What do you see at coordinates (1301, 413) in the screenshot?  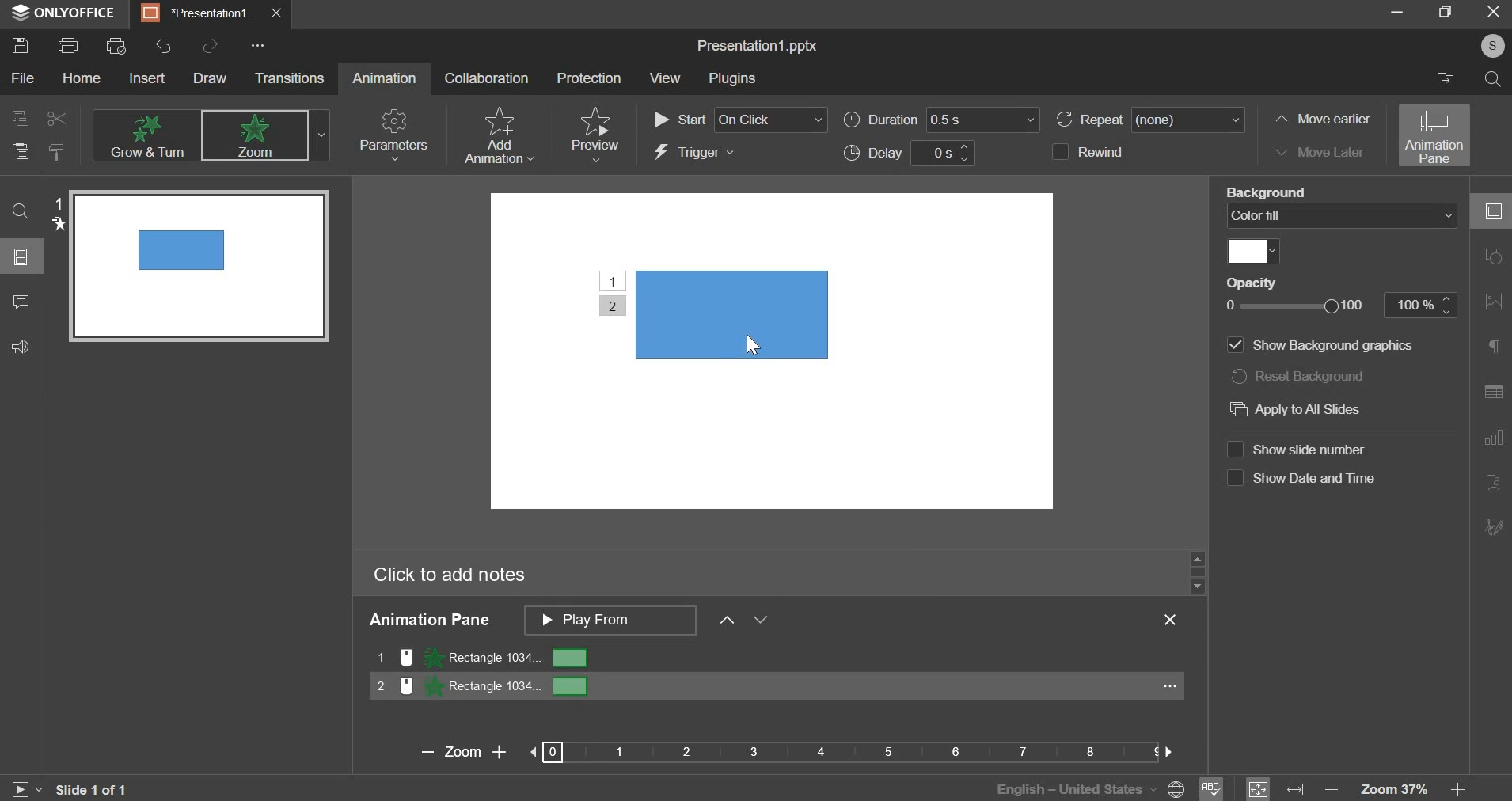 I see `Apply to All Slides` at bounding box center [1301, 413].